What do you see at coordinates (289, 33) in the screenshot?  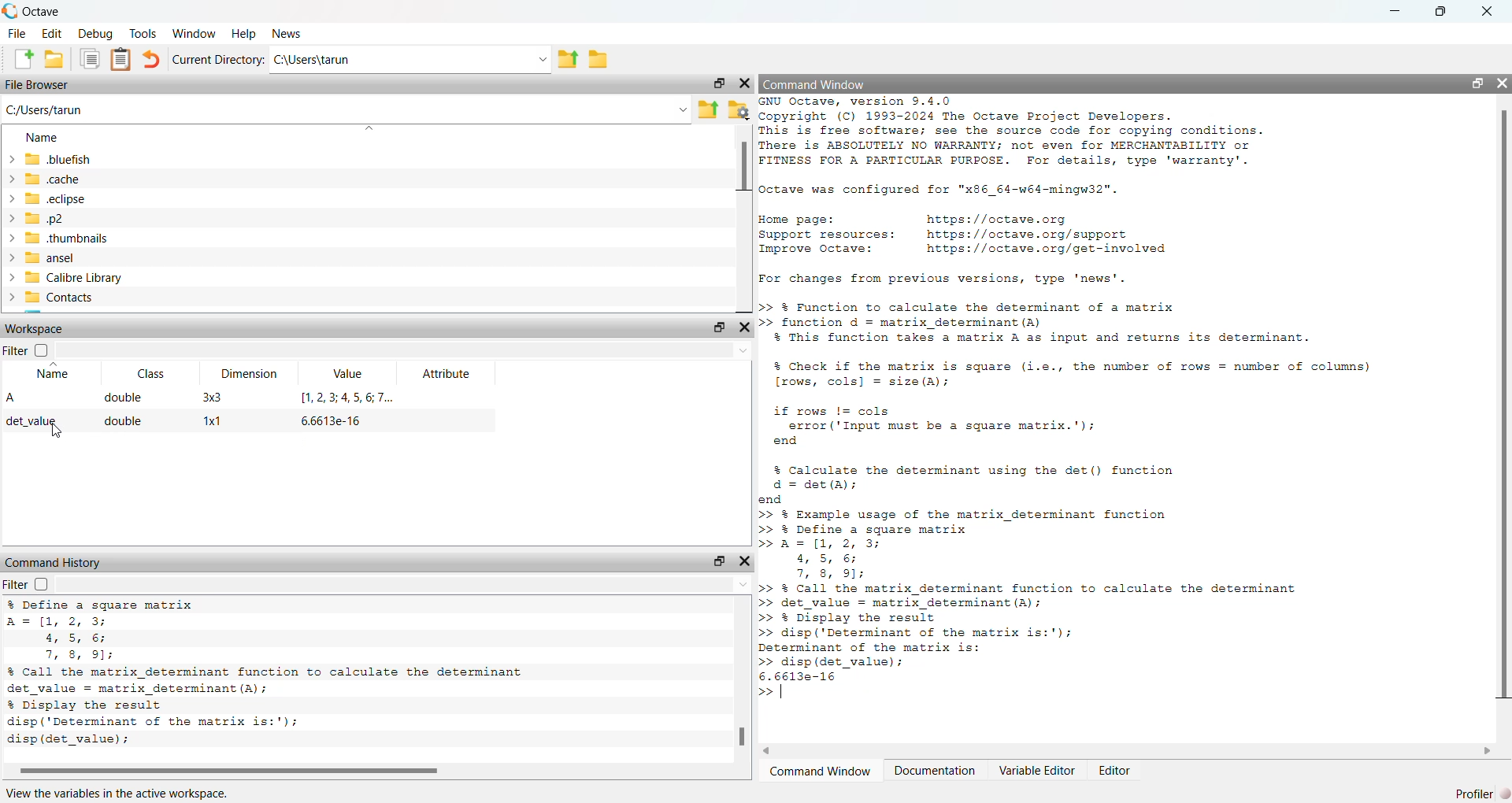 I see `news` at bounding box center [289, 33].